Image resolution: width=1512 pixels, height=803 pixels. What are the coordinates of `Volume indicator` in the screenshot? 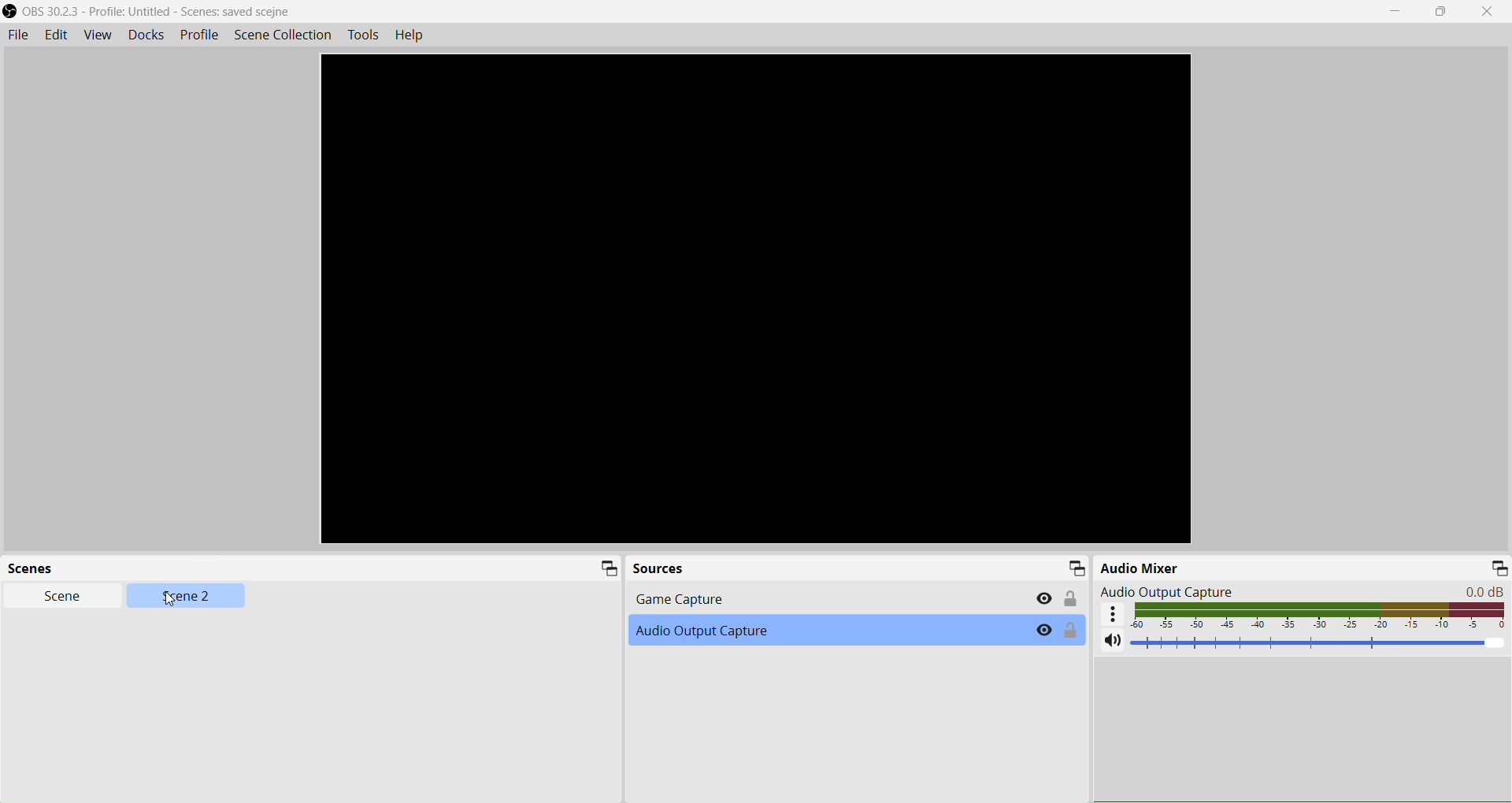 It's located at (1321, 615).